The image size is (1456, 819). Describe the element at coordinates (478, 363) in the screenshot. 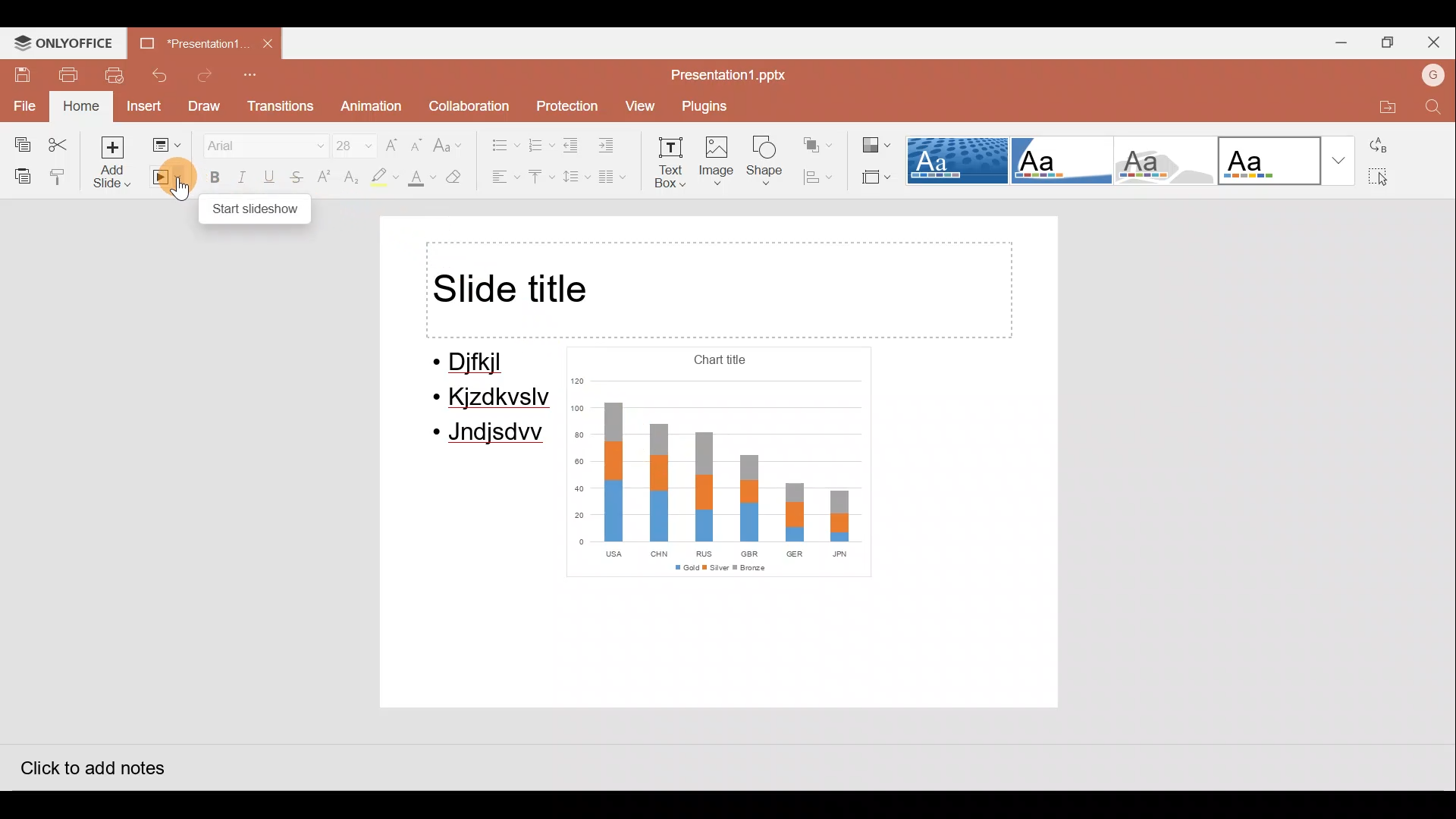

I see `Djfkjl` at that location.